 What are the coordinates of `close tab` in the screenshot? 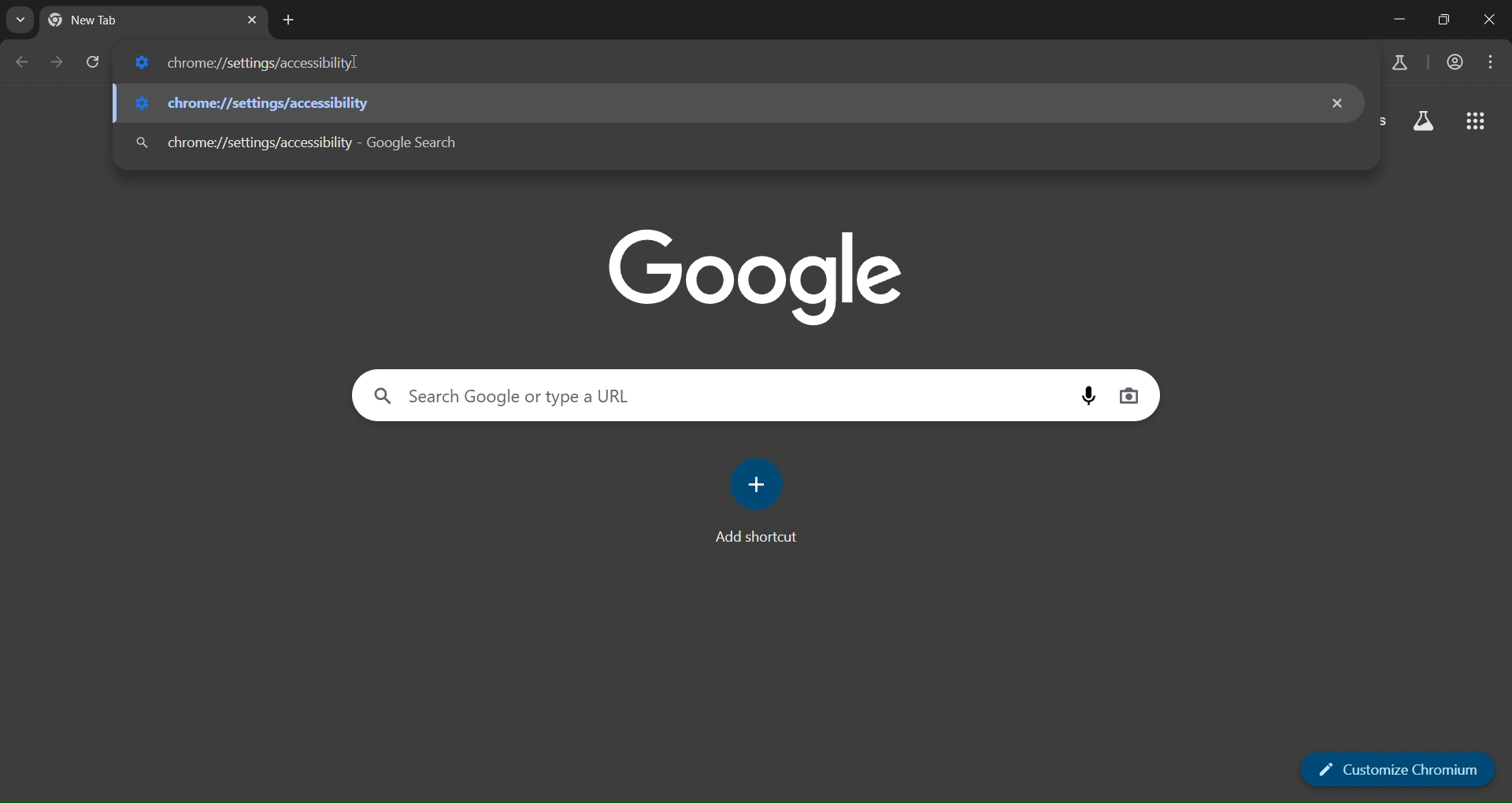 It's located at (253, 19).